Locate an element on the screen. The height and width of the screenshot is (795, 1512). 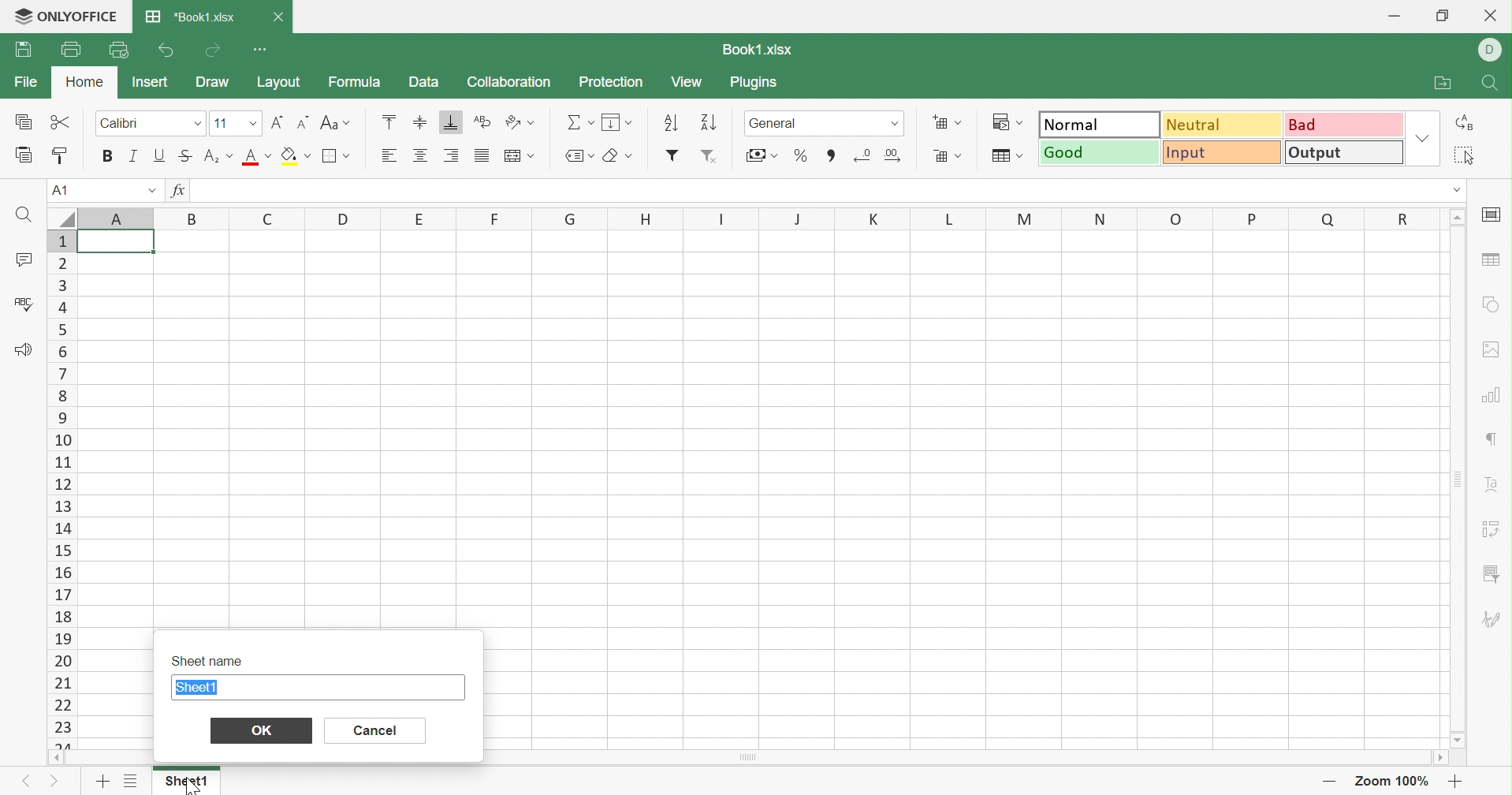
Comments is located at coordinates (26, 256).